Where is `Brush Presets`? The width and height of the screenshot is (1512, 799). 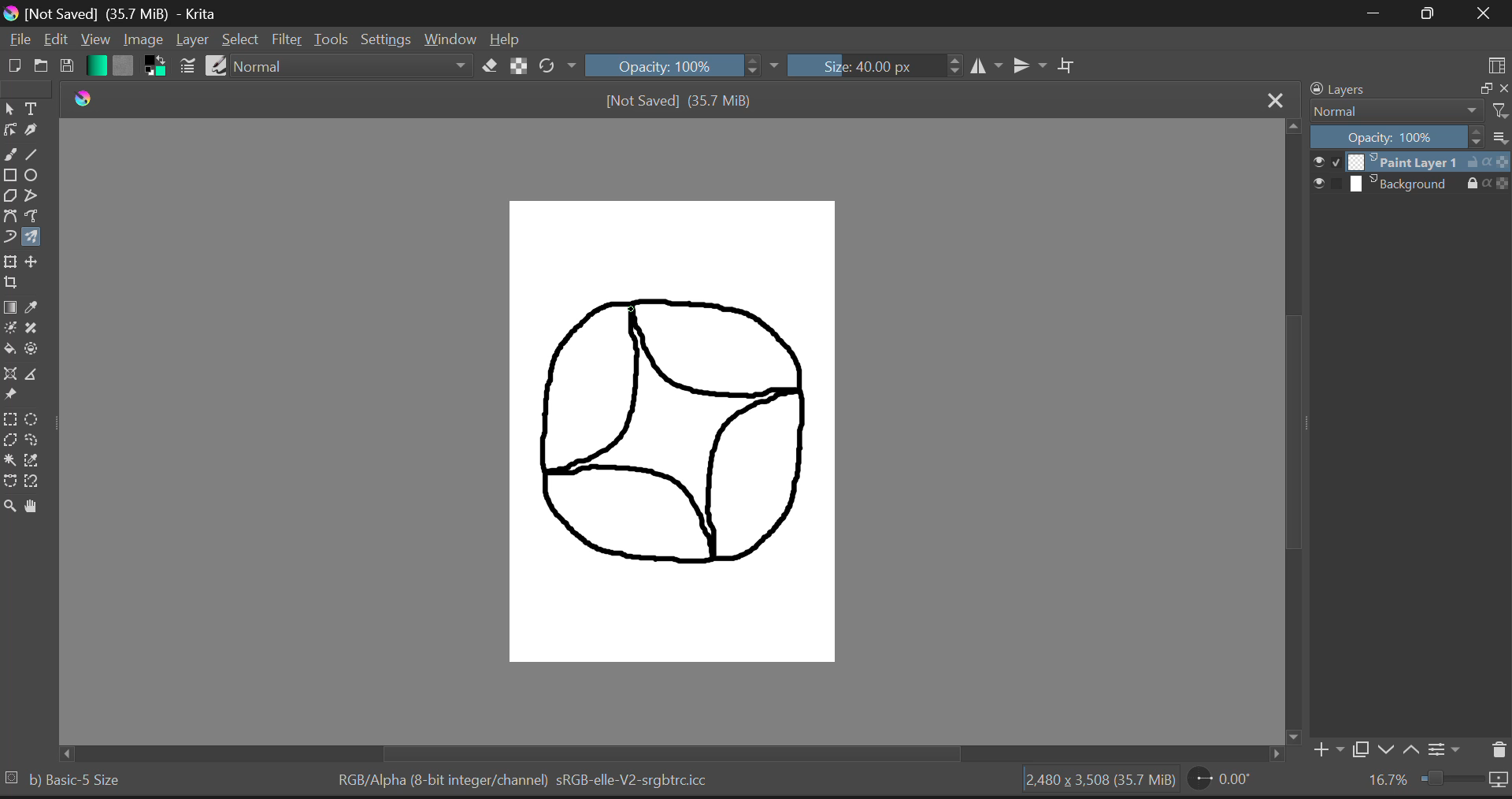
Brush Presets is located at coordinates (217, 65).